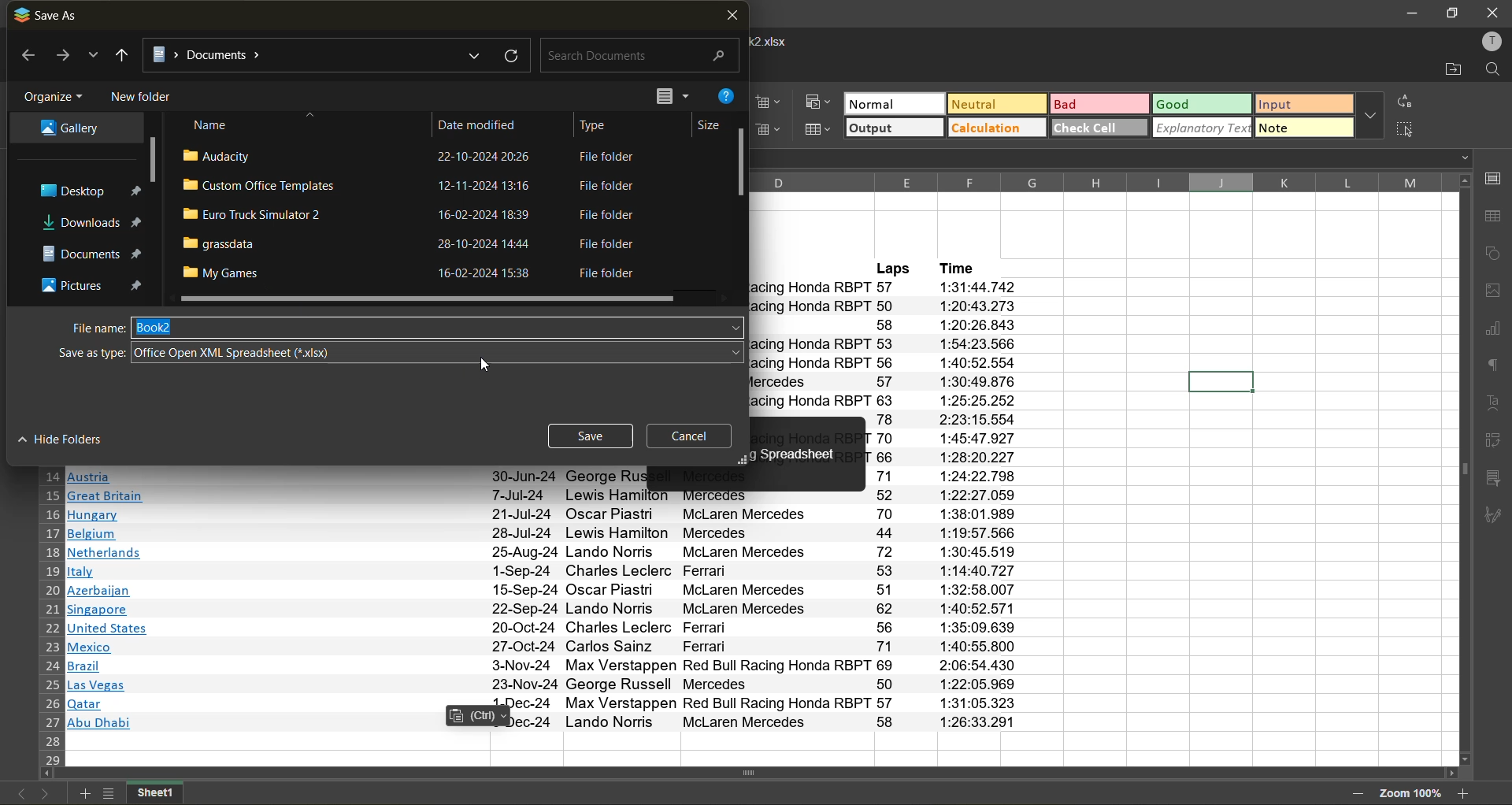 Image resolution: width=1512 pixels, height=805 pixels. Describe the element at coordinates (549, 666) in the screenshot. I see `text info` at that location.